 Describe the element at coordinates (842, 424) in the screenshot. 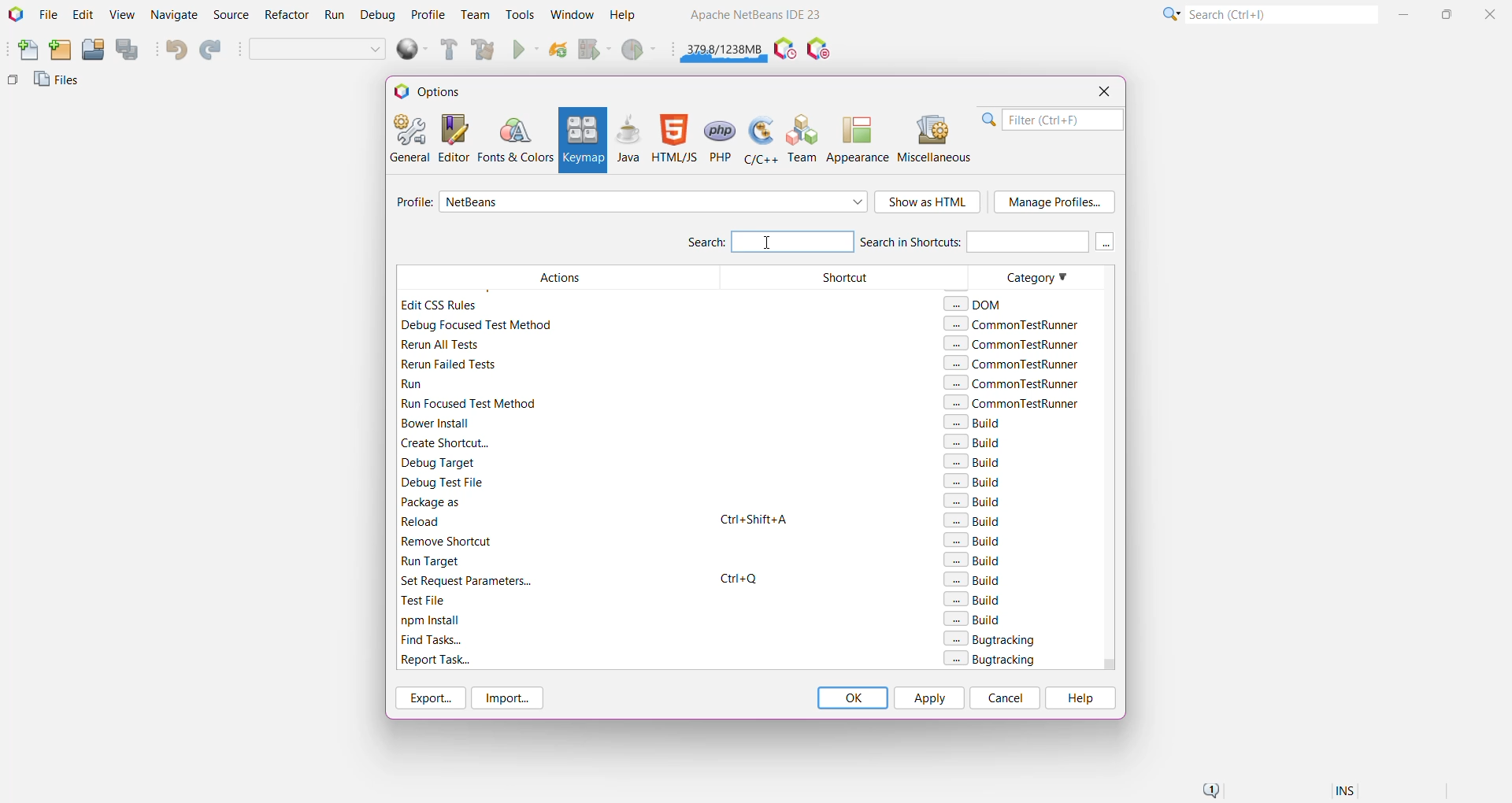

I see `Shortcut` at that location.